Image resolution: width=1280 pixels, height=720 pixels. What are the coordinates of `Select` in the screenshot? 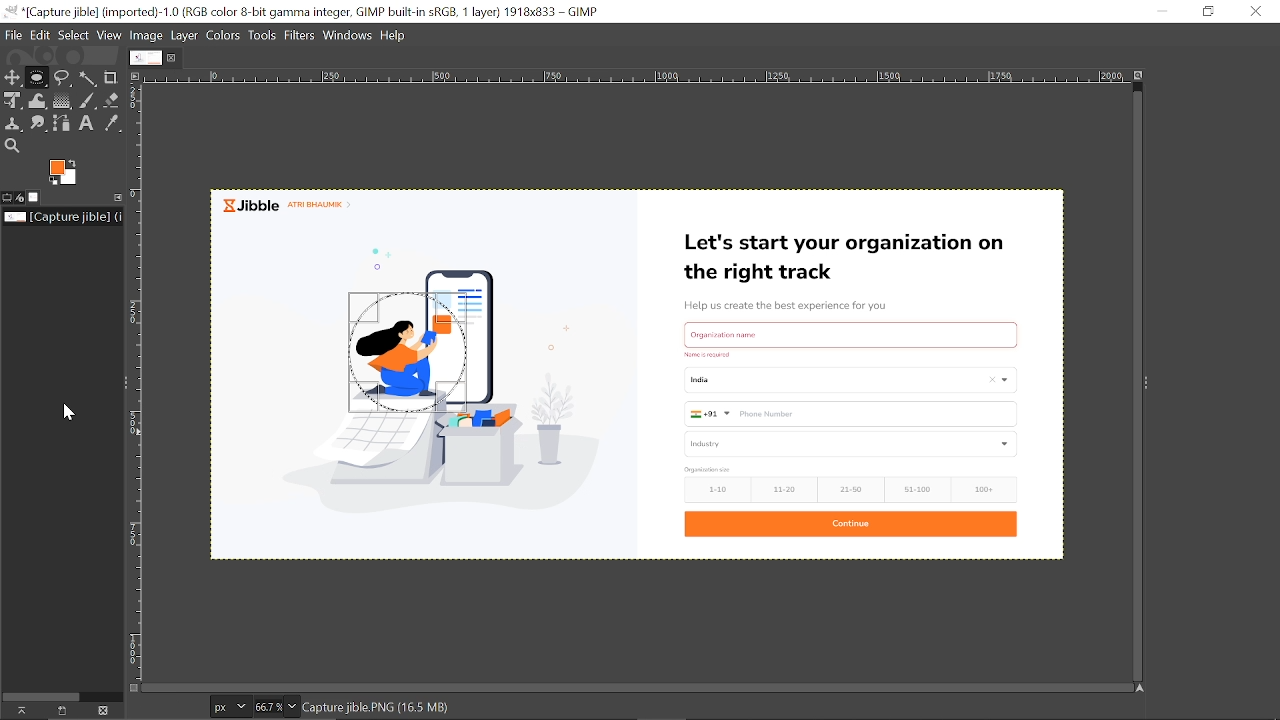 It's located at (74, 34).